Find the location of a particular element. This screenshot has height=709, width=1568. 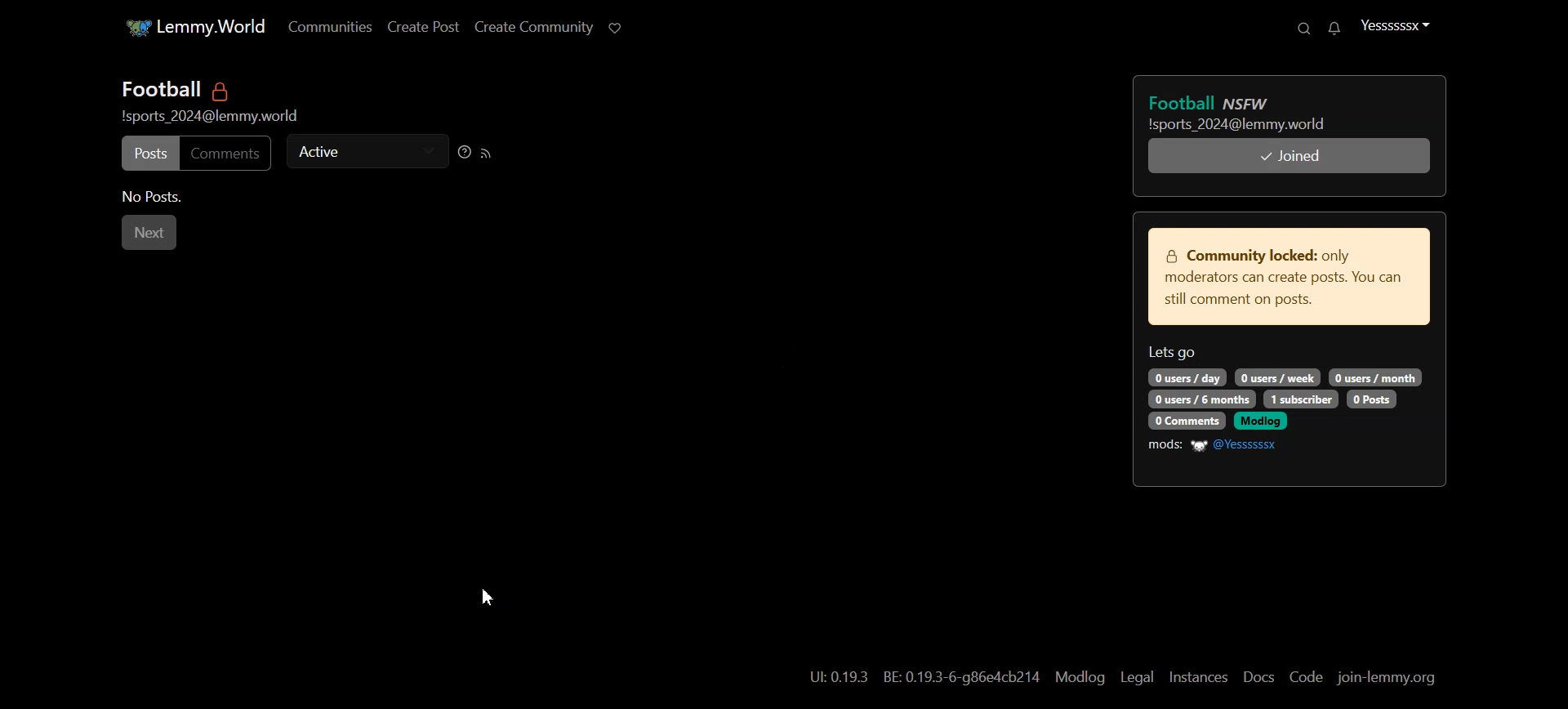

Support Lemmy is located at coordinates (612, 27).